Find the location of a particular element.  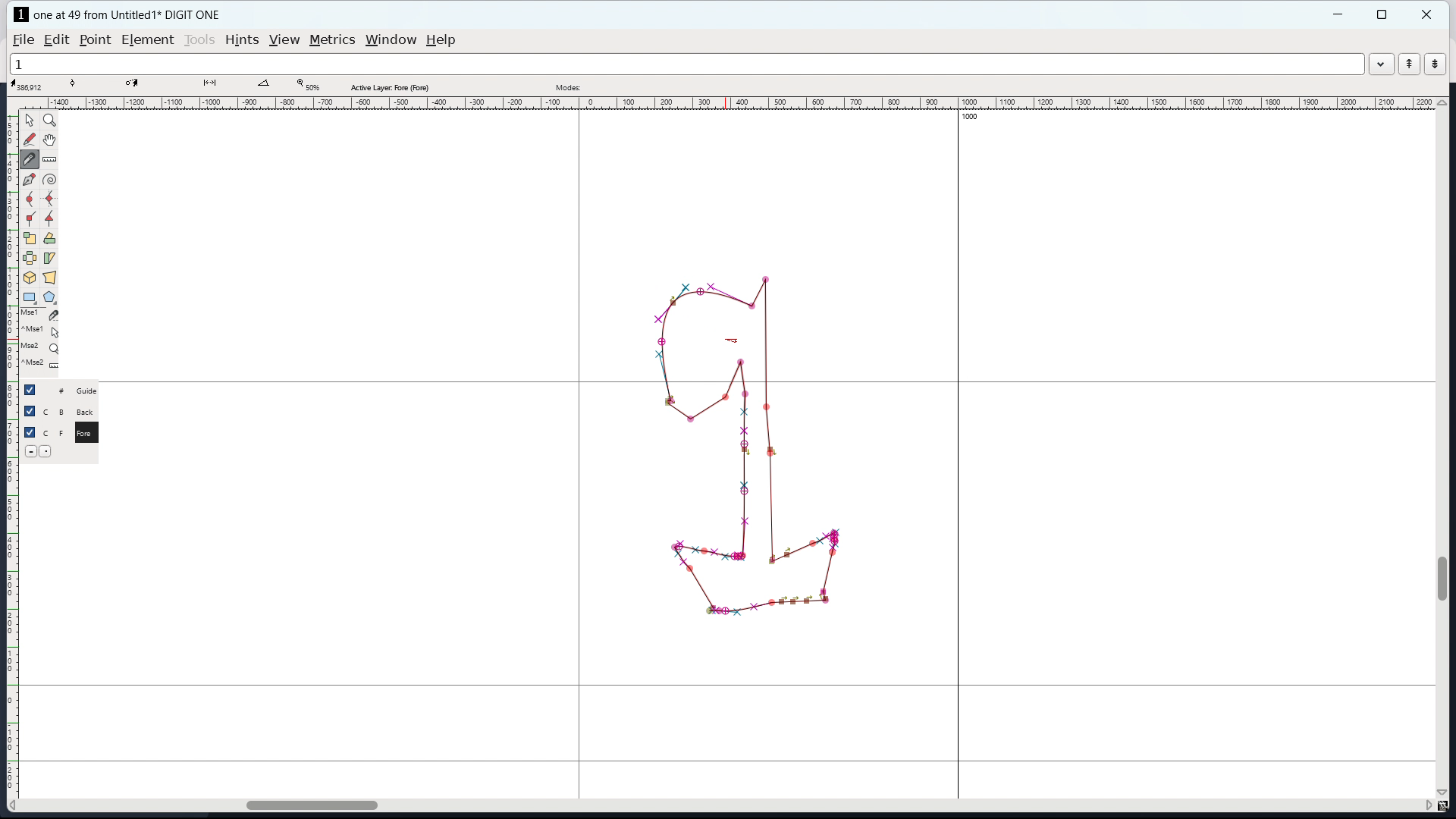

hints is located at coordinates (242, 39).